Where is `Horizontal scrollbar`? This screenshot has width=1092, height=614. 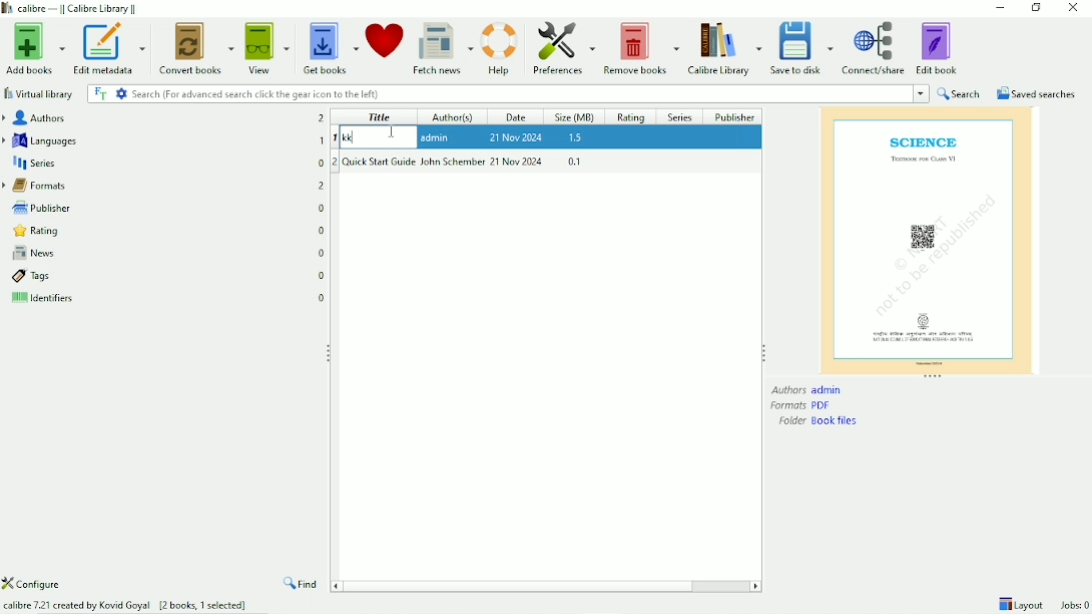 Horizontal scrollbar is located at coordinates (547, 587).